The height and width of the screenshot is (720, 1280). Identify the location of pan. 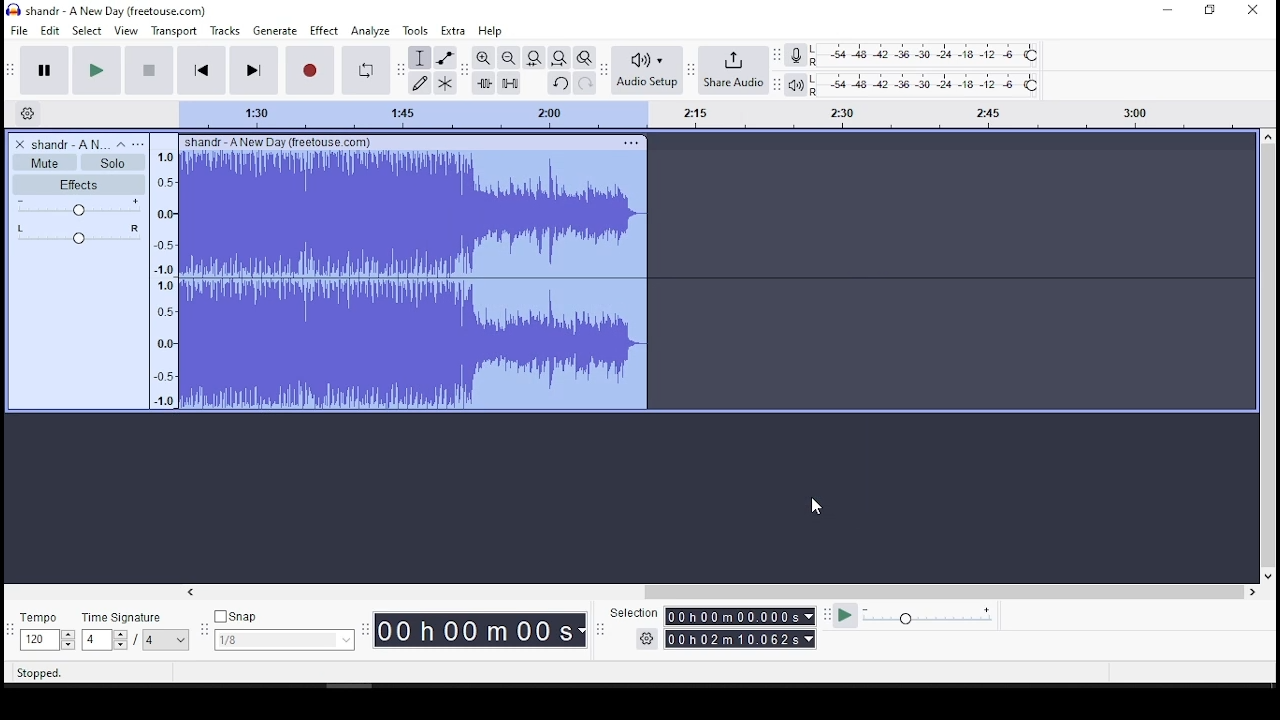
(78, 234).